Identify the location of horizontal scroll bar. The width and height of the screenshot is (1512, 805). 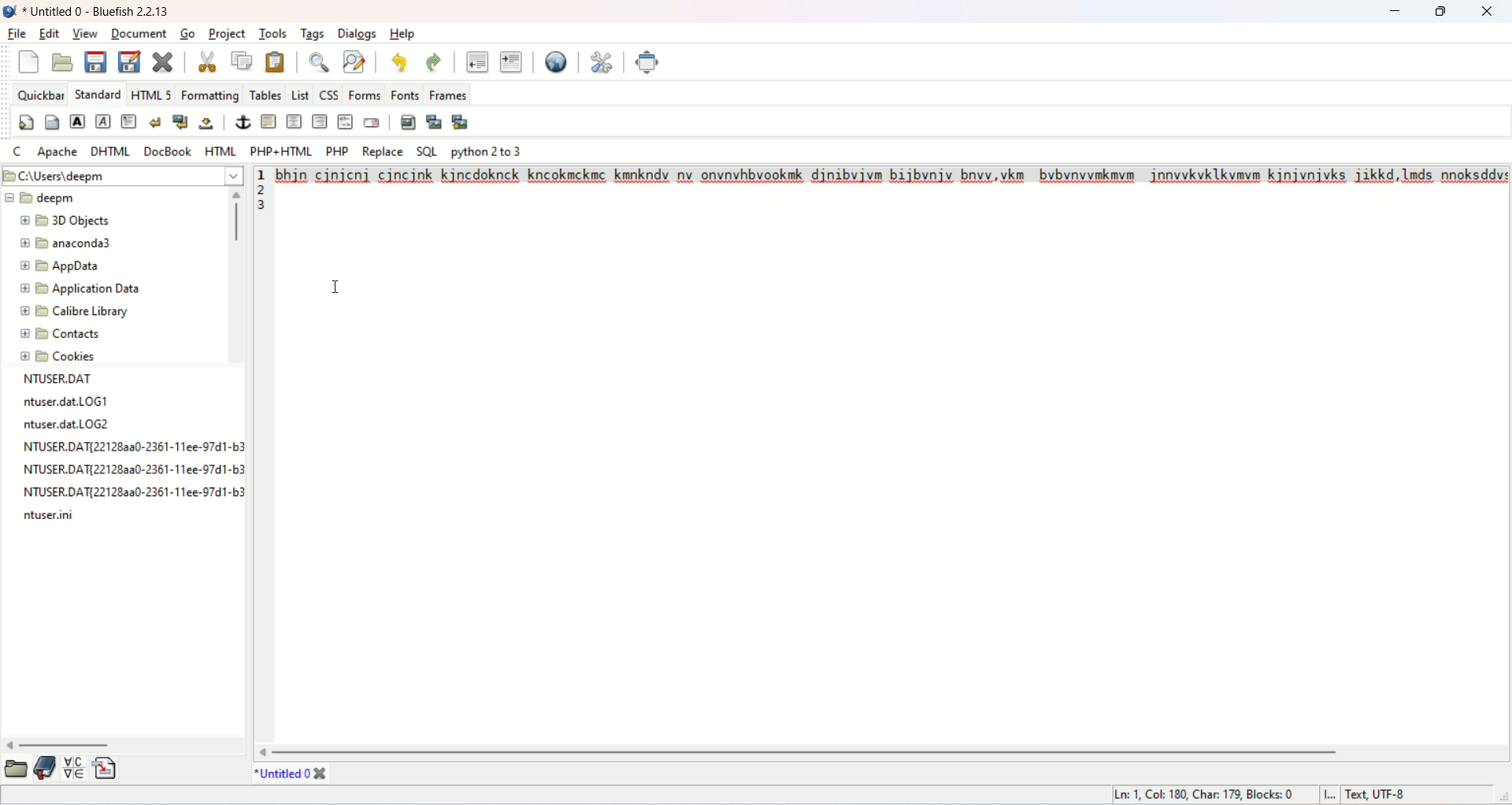
(124, 745).